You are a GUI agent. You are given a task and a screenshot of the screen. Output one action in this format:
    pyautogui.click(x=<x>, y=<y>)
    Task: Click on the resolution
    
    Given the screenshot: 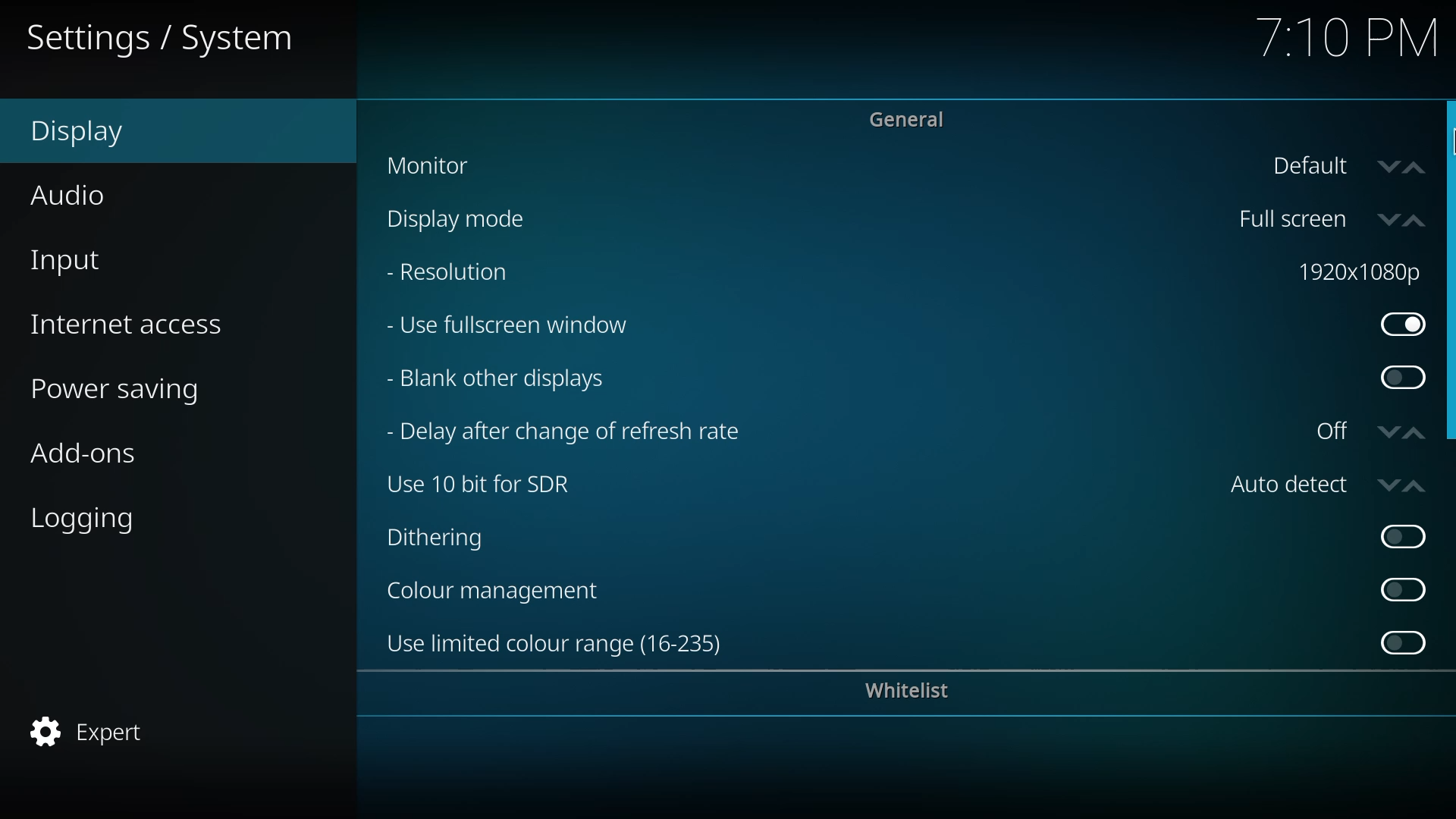 What is the action you would take?
    pyautogui.click(x=451, y=271)
    